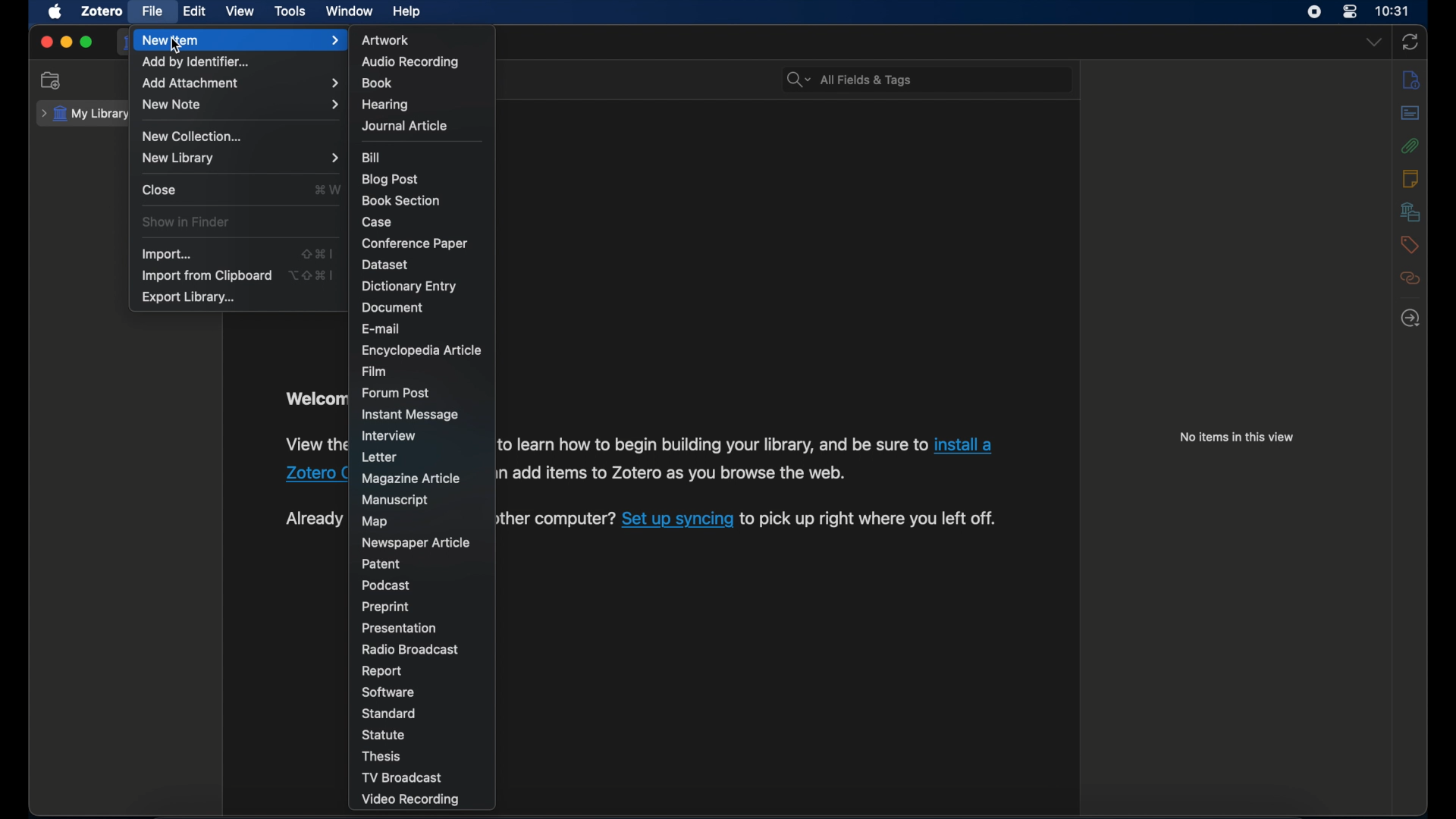  Describe the element at coordinates (327, 189) in the screenshot. I see `shortcut` at that location.